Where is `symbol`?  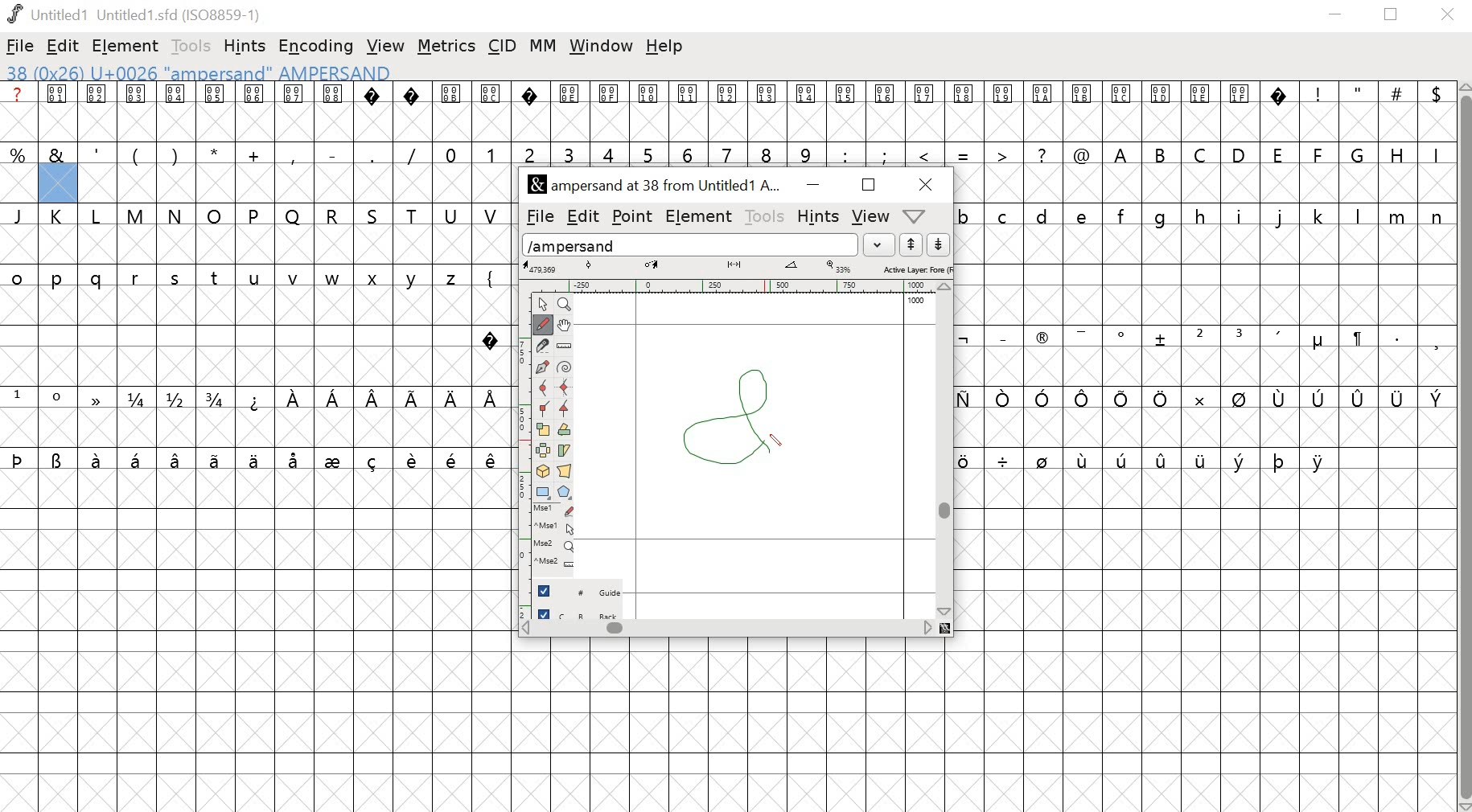
symbol is located at coordinates (1123, 458).